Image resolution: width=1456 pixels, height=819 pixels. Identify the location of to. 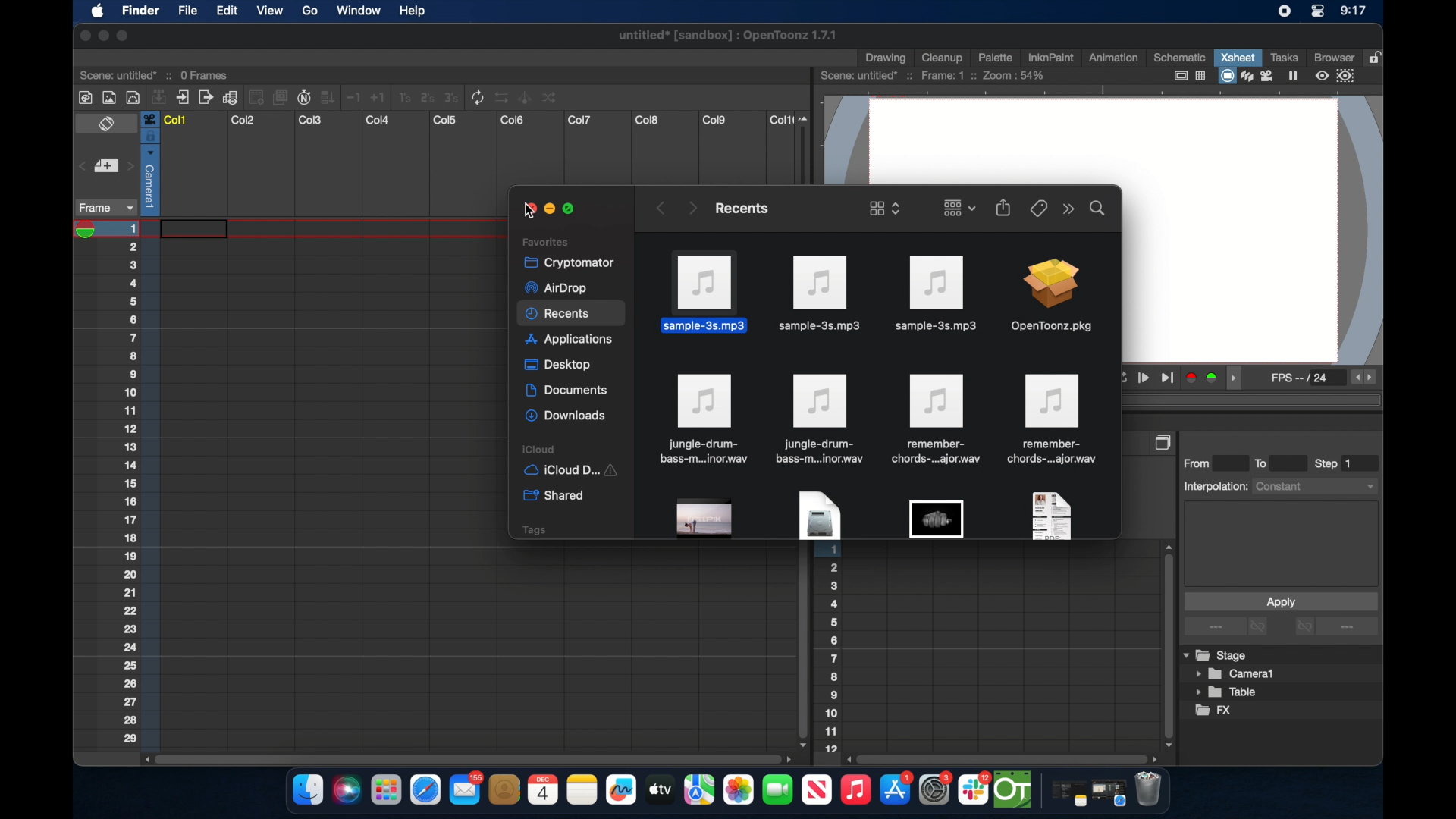
(1266, 463).